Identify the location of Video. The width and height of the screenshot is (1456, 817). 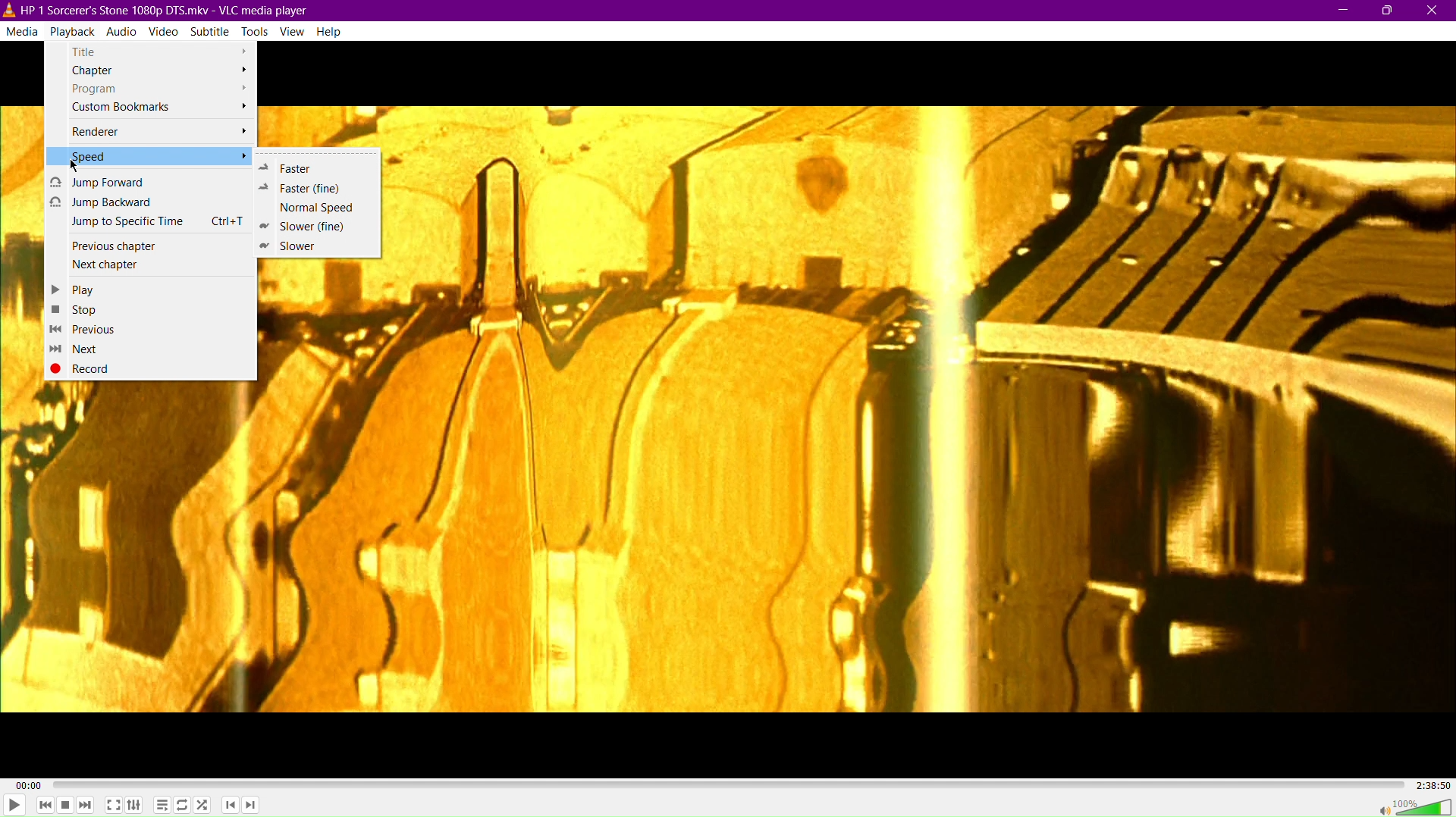
(163, 30).